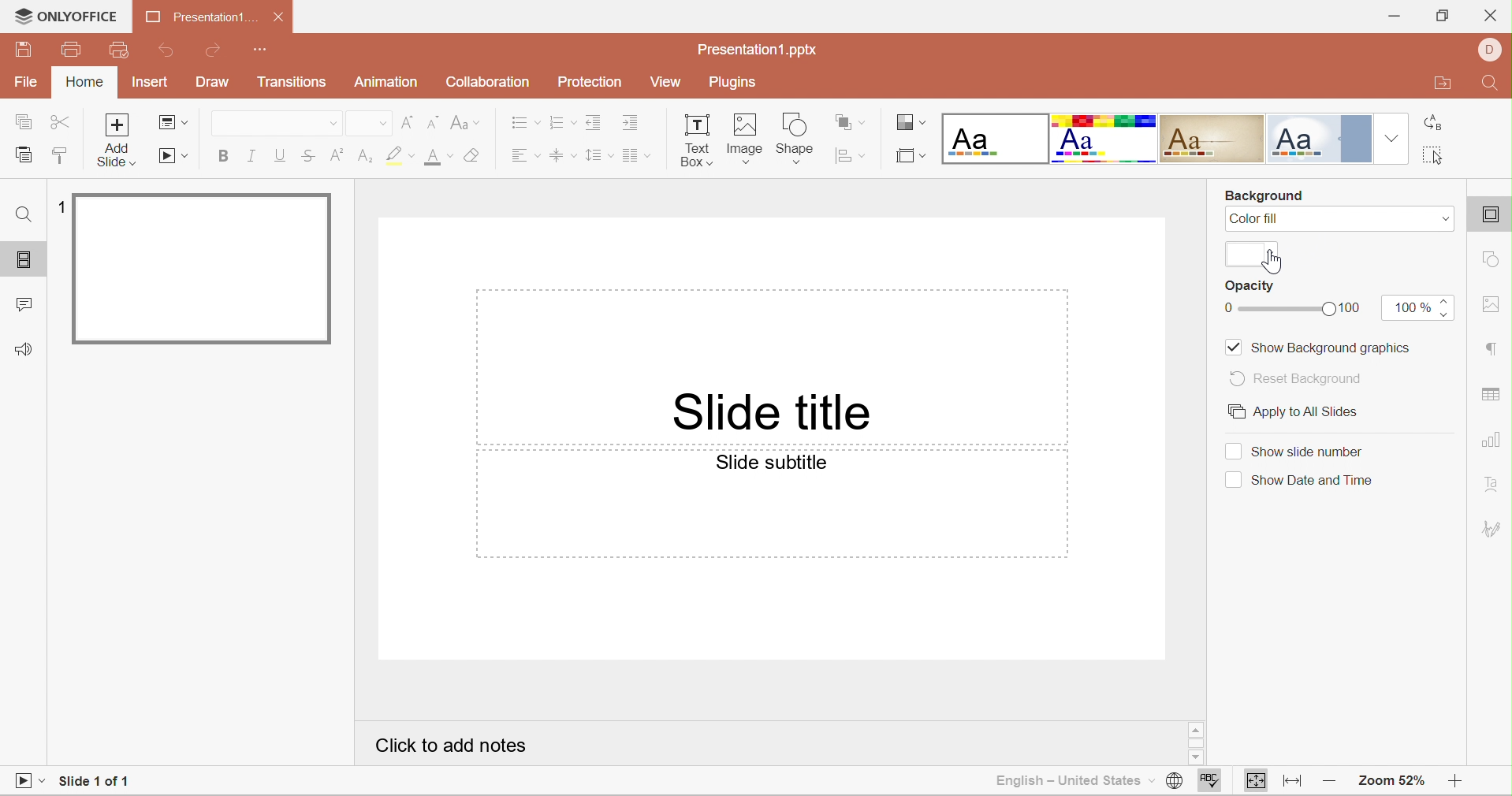 This screenshot has width=1512, height=796. Describe the element at coordinates (31, 84) in the screenshot. I see `File` at that location.